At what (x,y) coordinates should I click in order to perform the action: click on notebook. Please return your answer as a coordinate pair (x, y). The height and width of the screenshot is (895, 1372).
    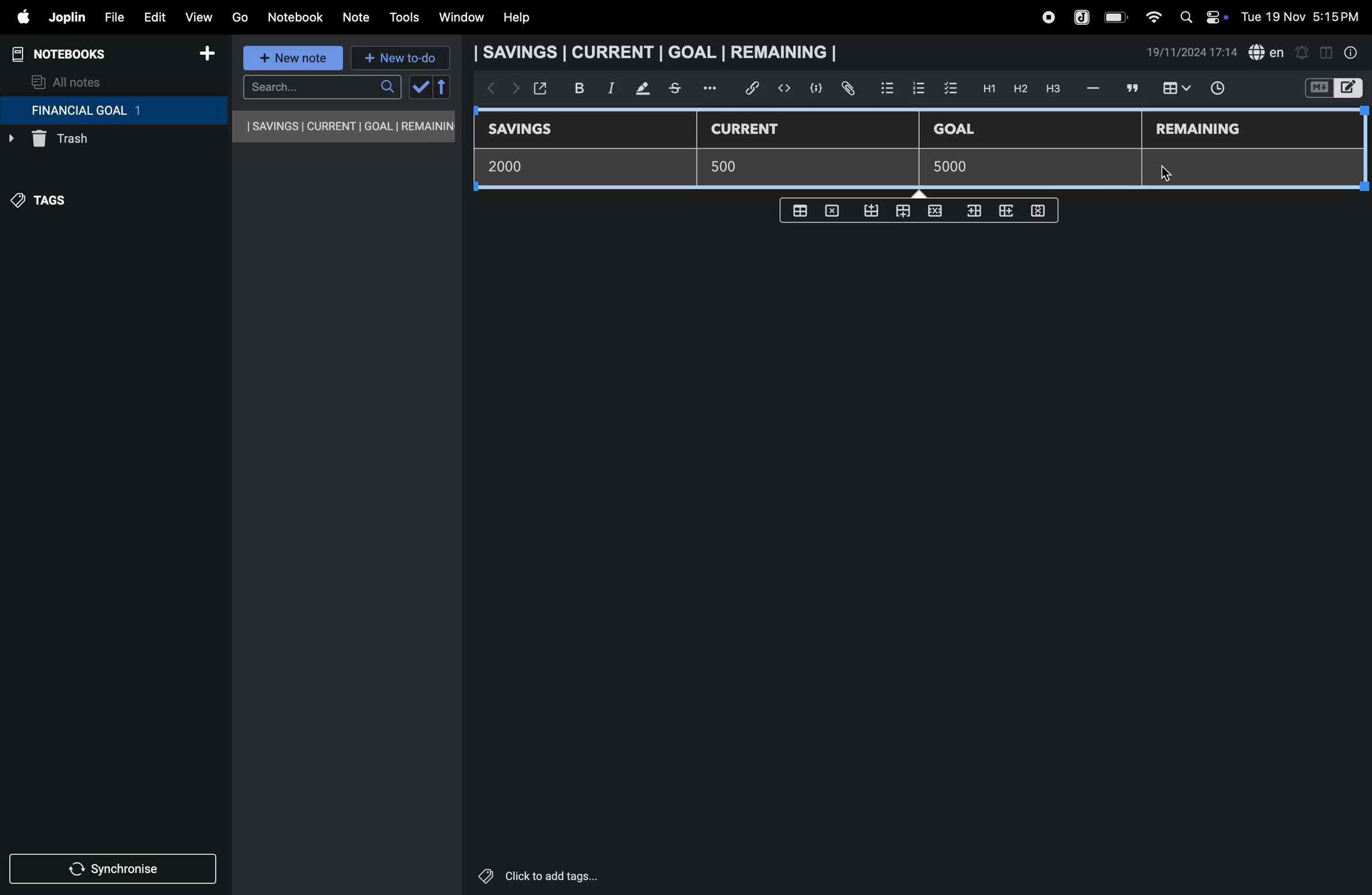
    Looking at the image, I should click on (295, 17).